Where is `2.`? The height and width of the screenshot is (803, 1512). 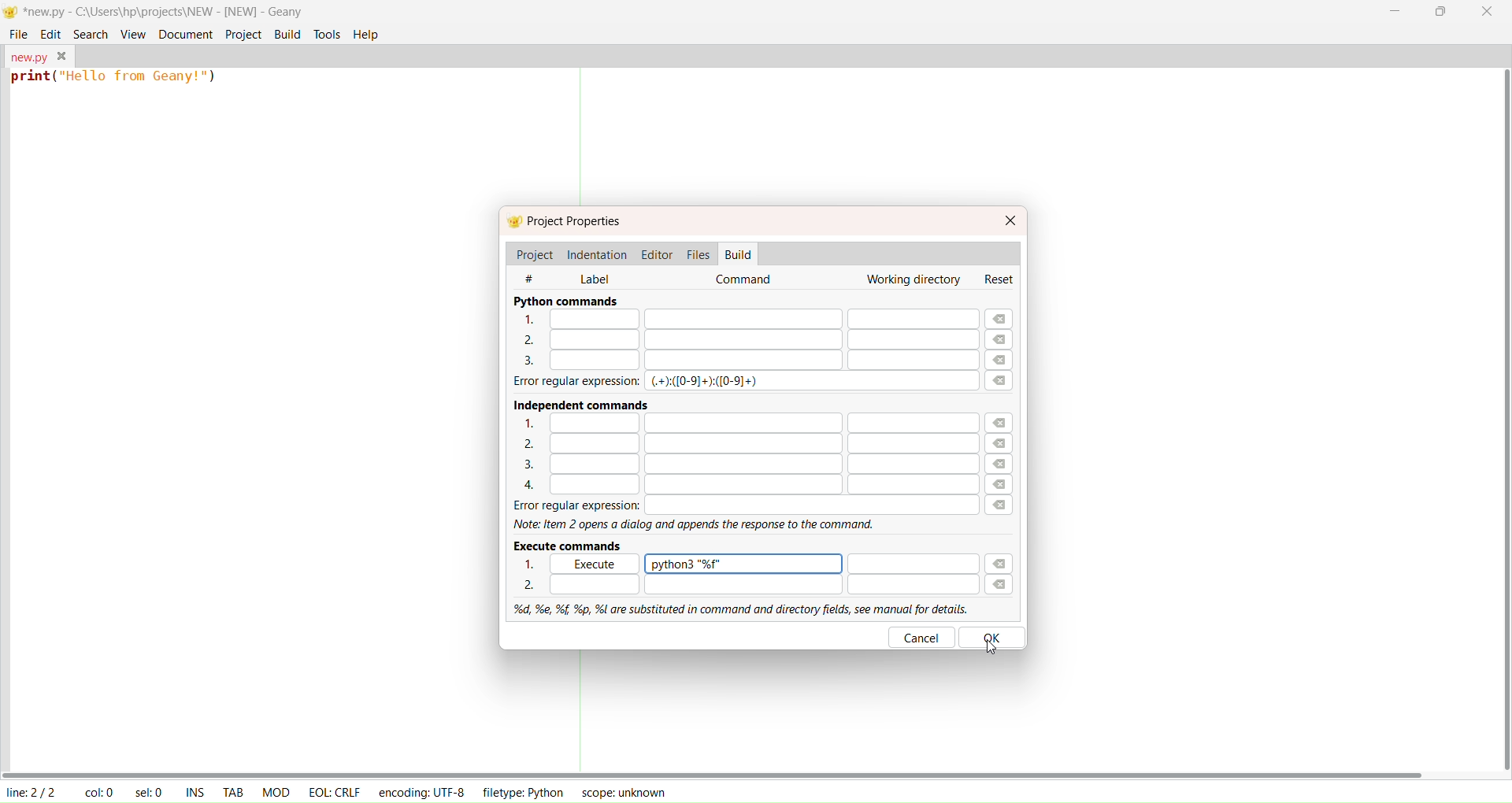
2. is located at coordinates (743, 584).